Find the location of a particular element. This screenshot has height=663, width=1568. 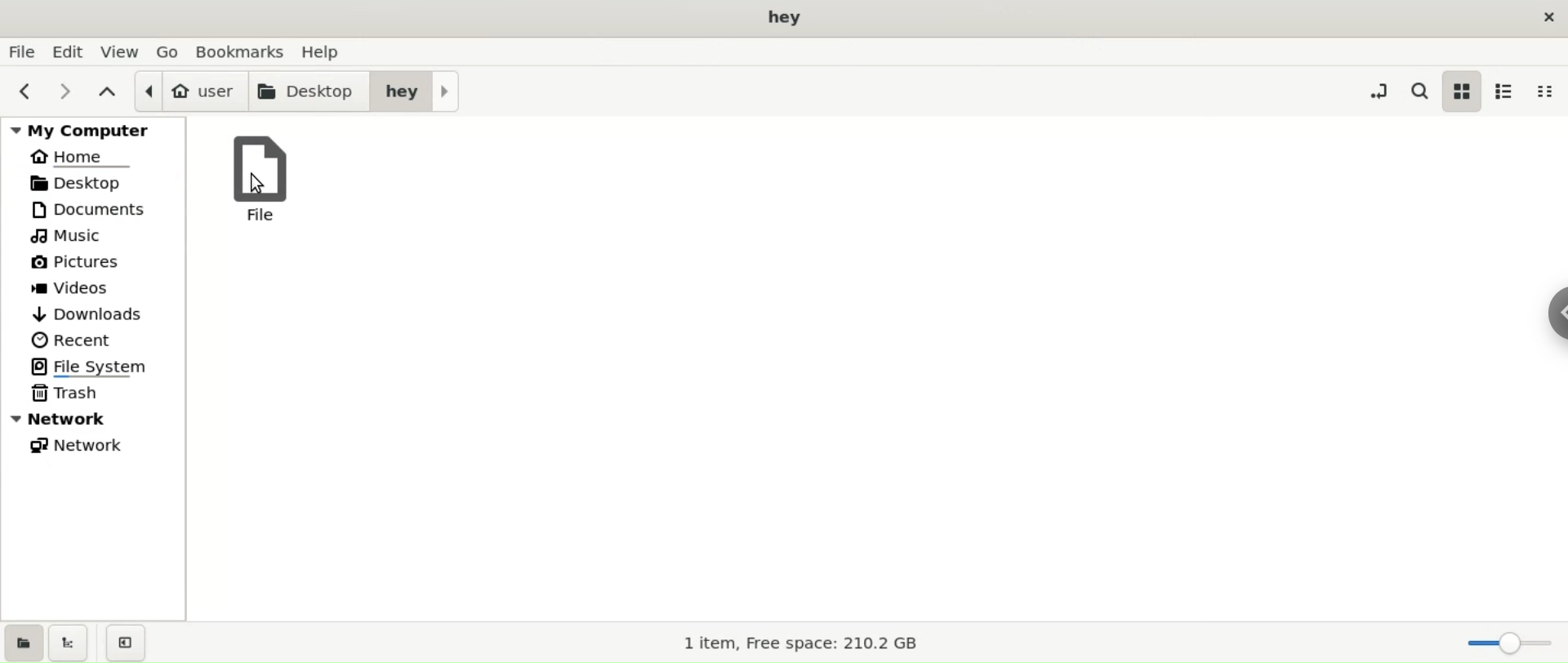

help is located at coordinates (329, 50).